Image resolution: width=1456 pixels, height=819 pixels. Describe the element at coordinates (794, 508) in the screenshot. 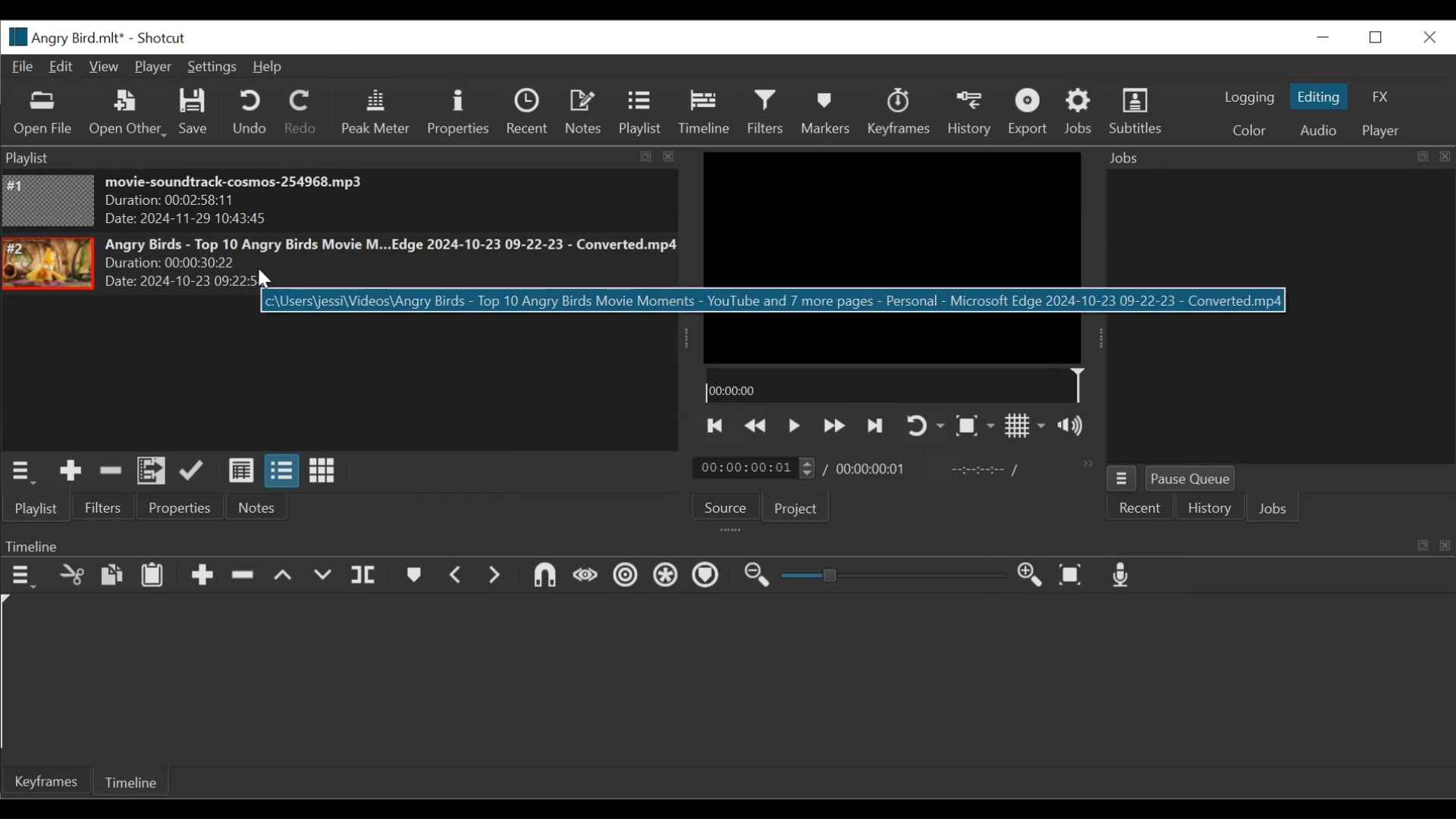

I see `Project` at that location.